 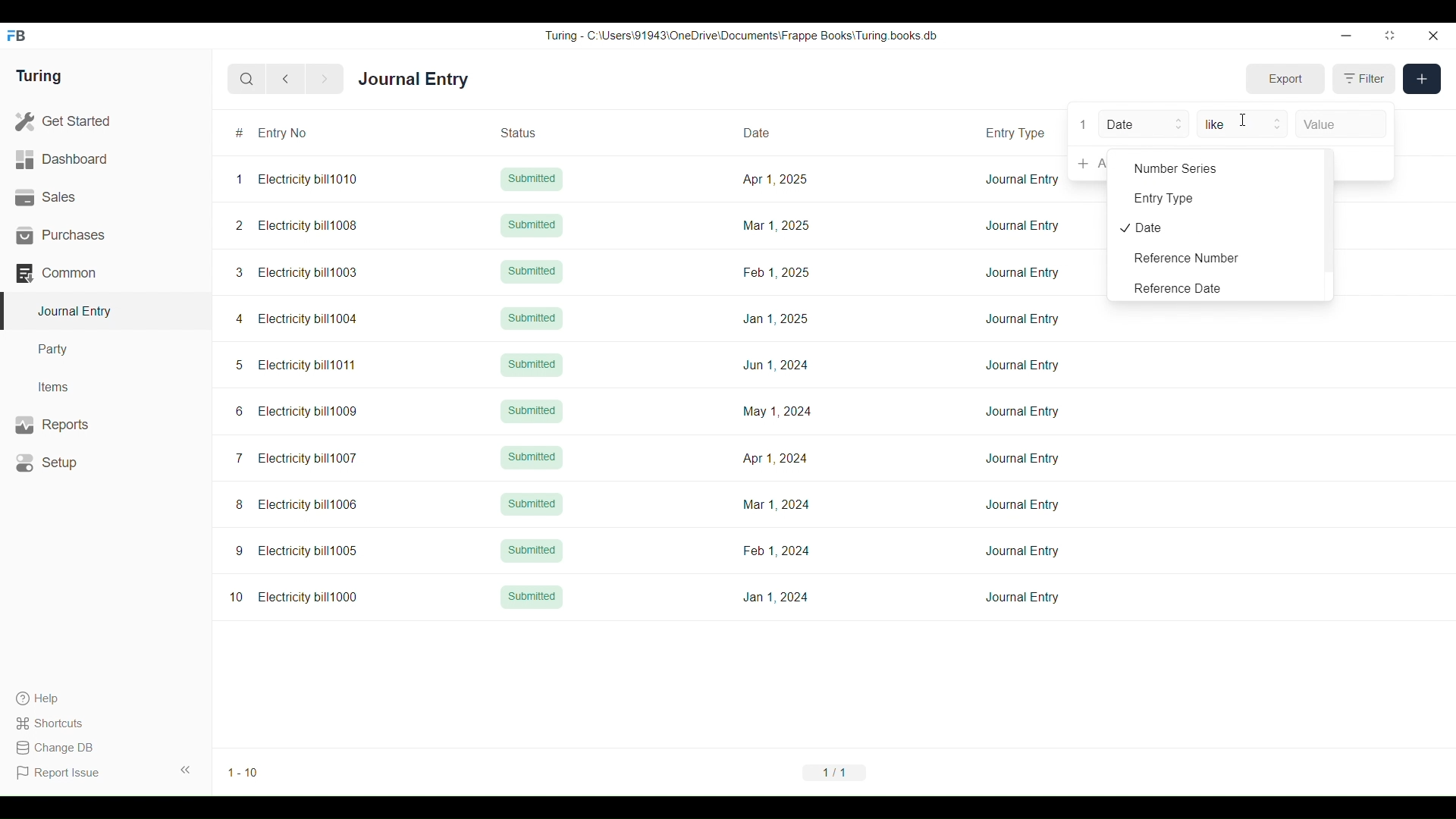 What do you see at coordinates (186, 770) in the screenshot?
I see `Collapse sidebar` at bounding box center [186, 770].